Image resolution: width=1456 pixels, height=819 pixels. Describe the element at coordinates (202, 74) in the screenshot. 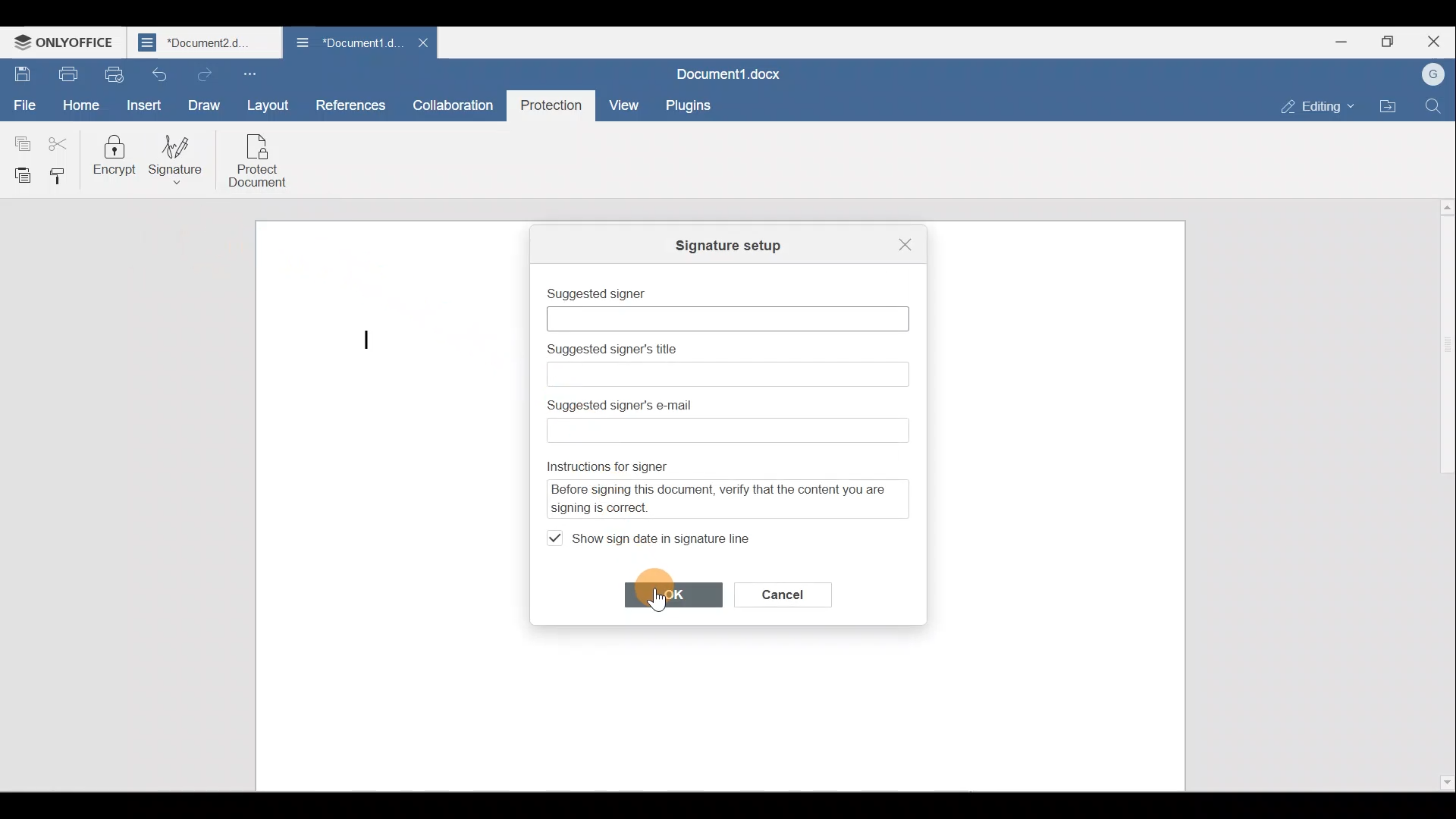

I see `Redo` at that location.